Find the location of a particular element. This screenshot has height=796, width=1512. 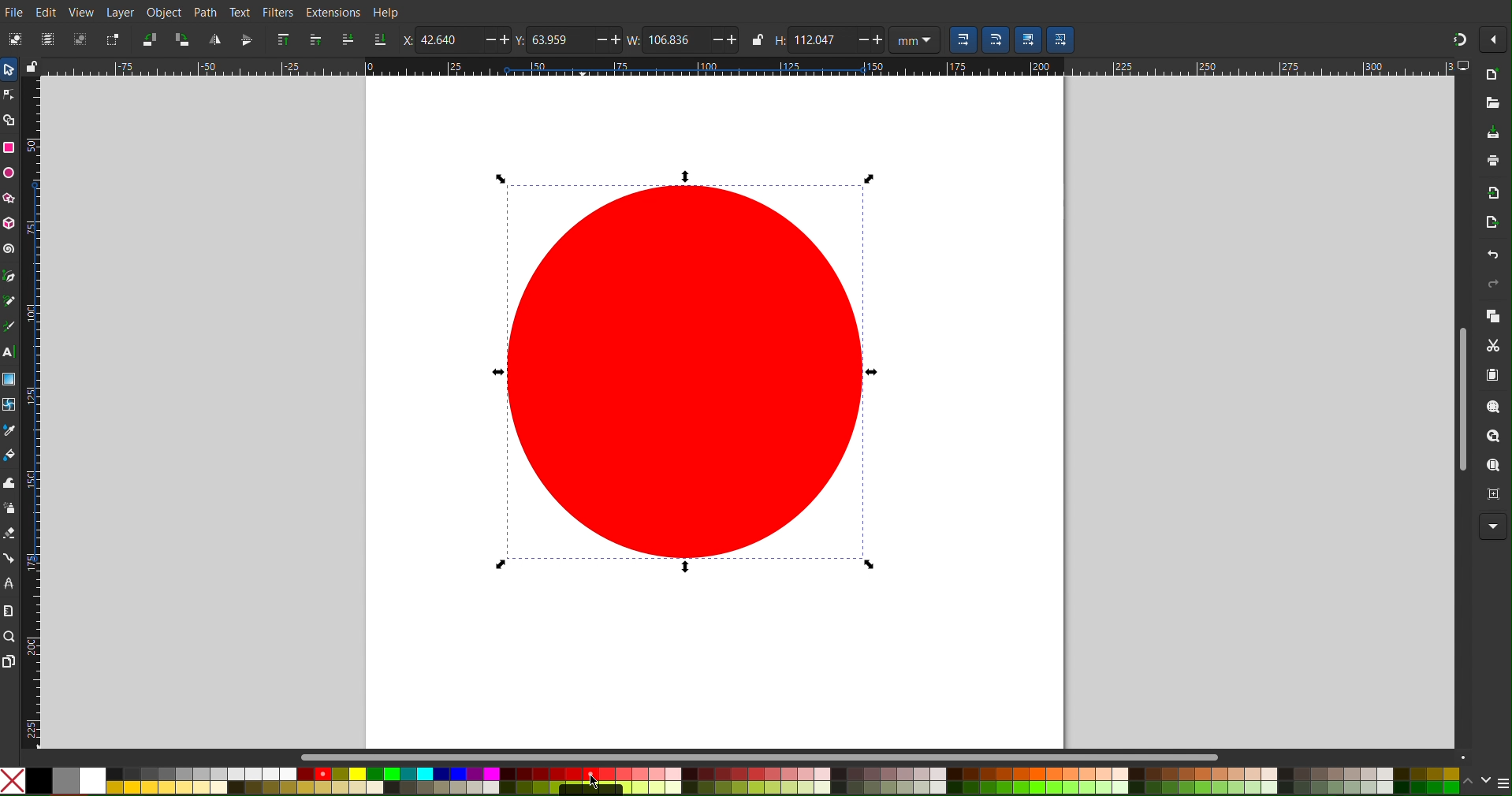

lock is located at coordinates (756, 40).